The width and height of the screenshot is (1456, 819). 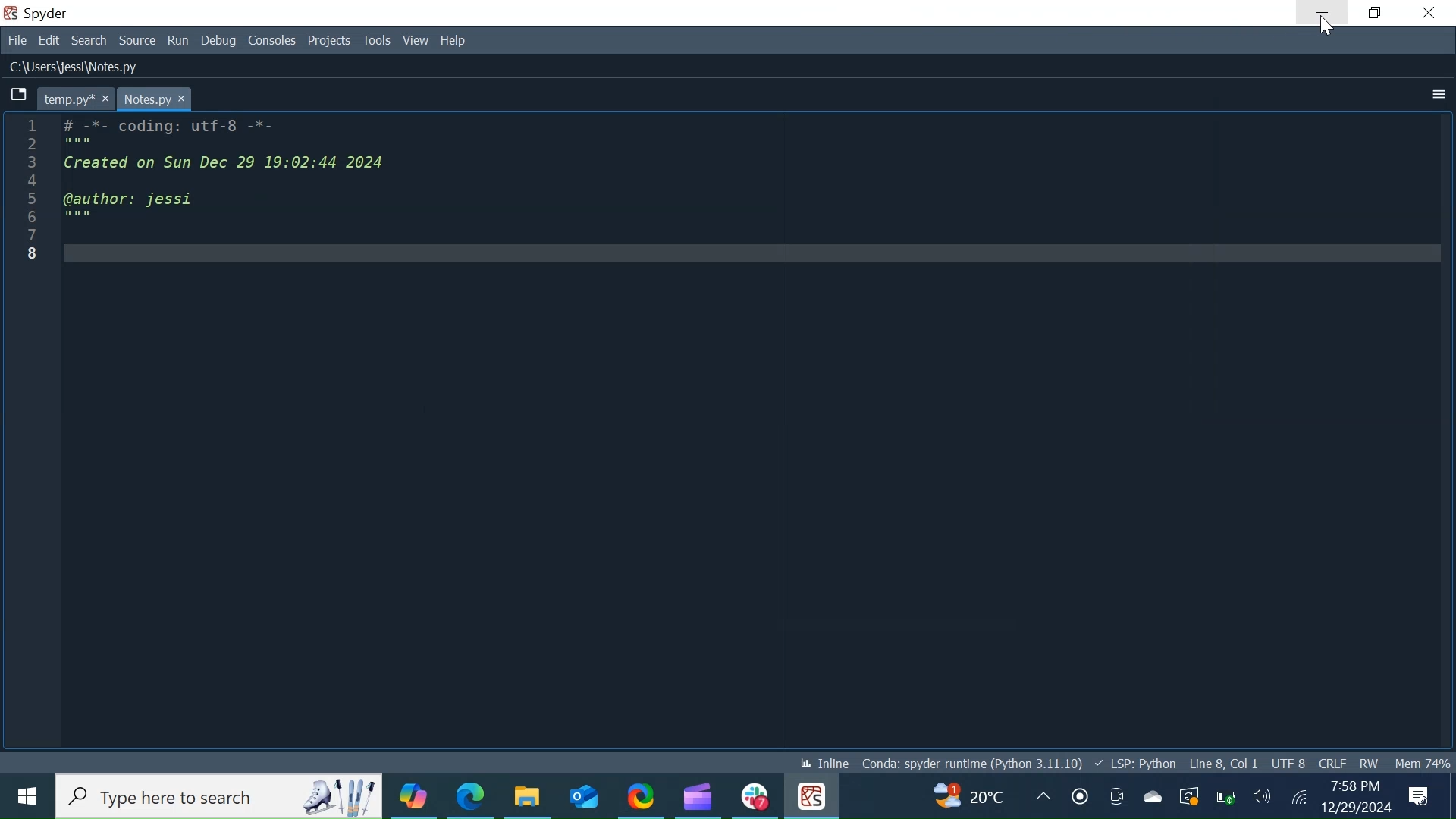 I want to click on Source, so click(x=138, y=42).